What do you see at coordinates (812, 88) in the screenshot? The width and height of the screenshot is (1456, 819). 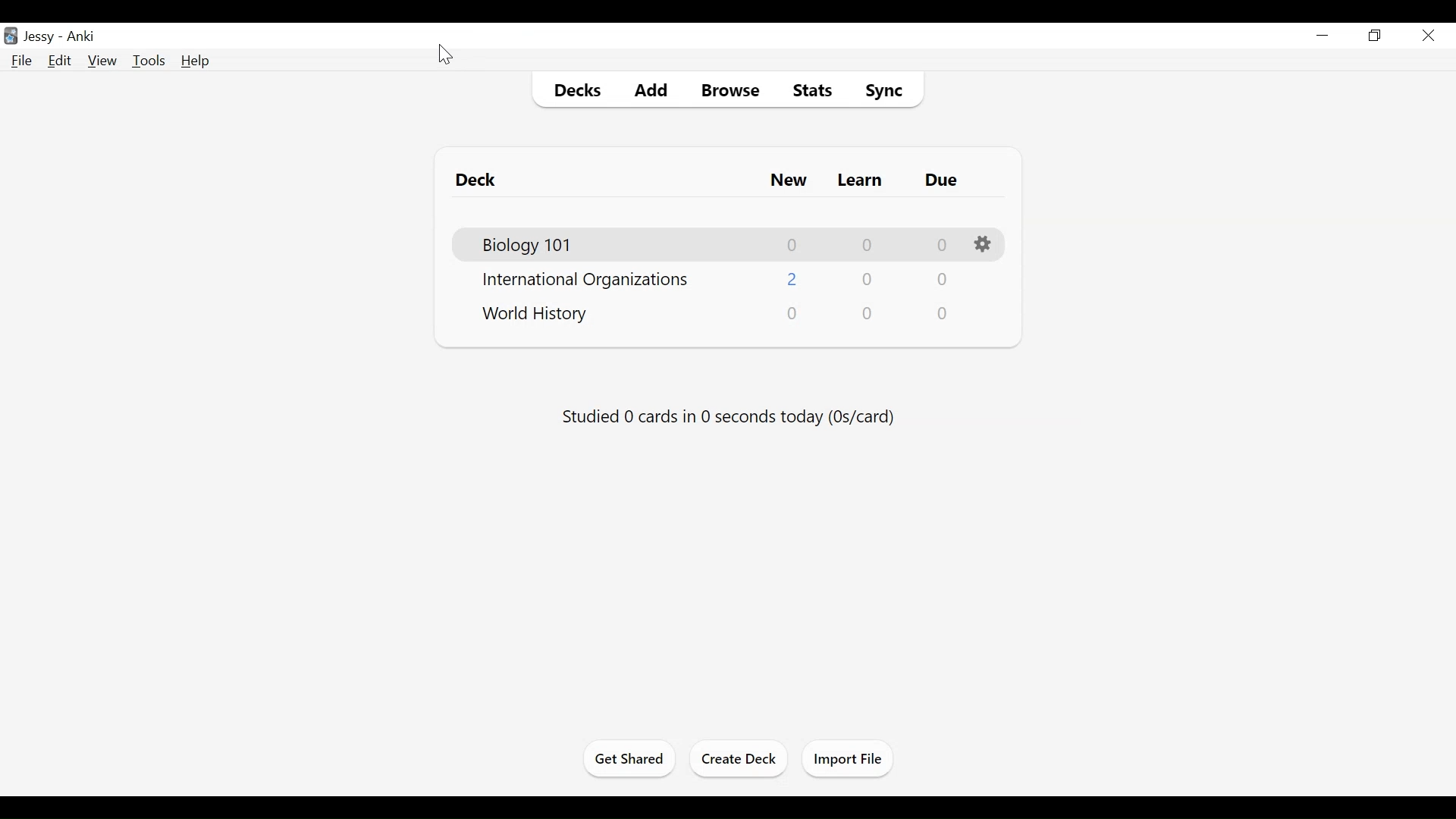 I see `Stats` at bounding box center [812, 88].